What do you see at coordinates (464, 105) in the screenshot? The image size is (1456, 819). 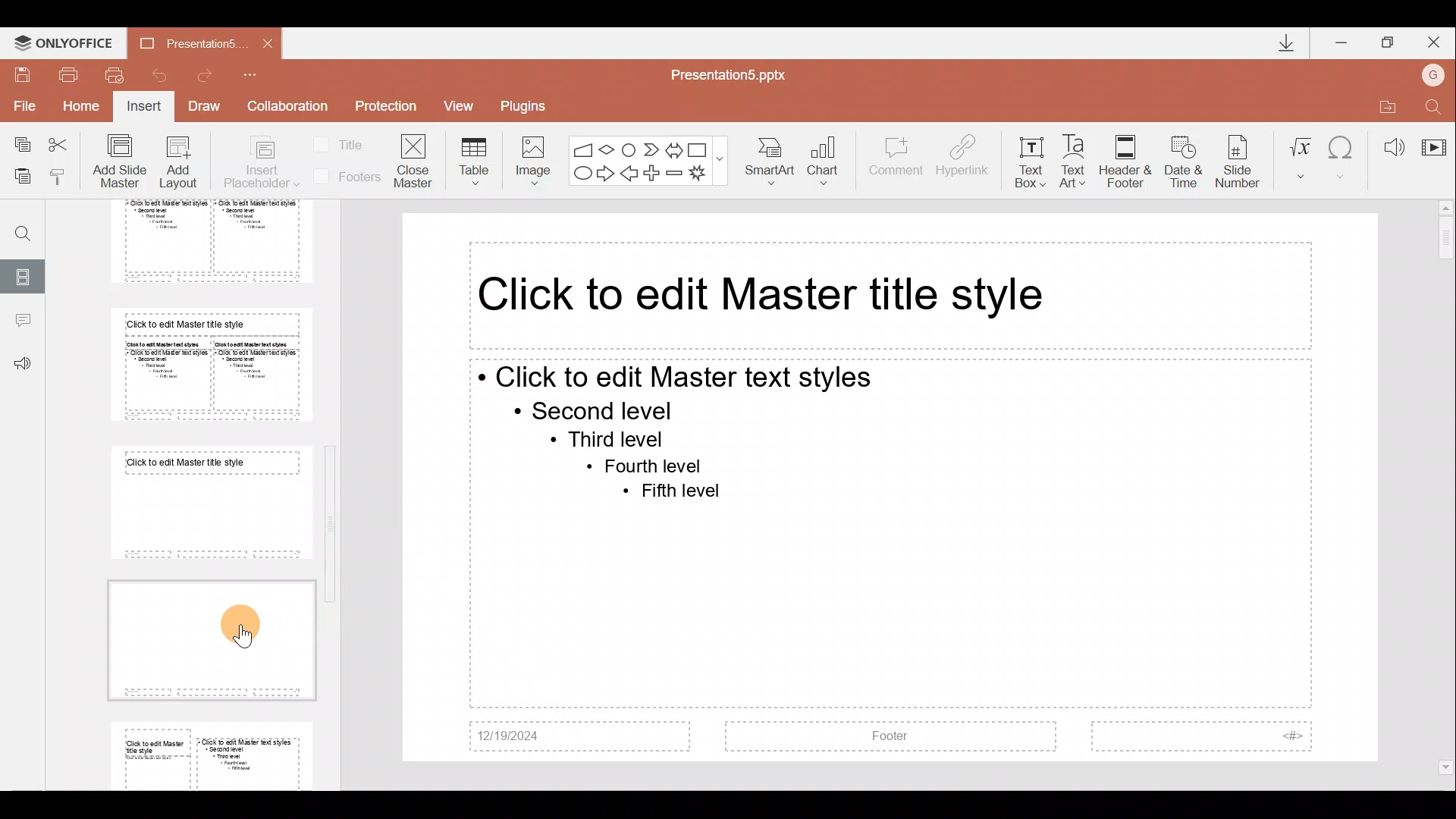 I see `View` at bounding box center [464, 105].